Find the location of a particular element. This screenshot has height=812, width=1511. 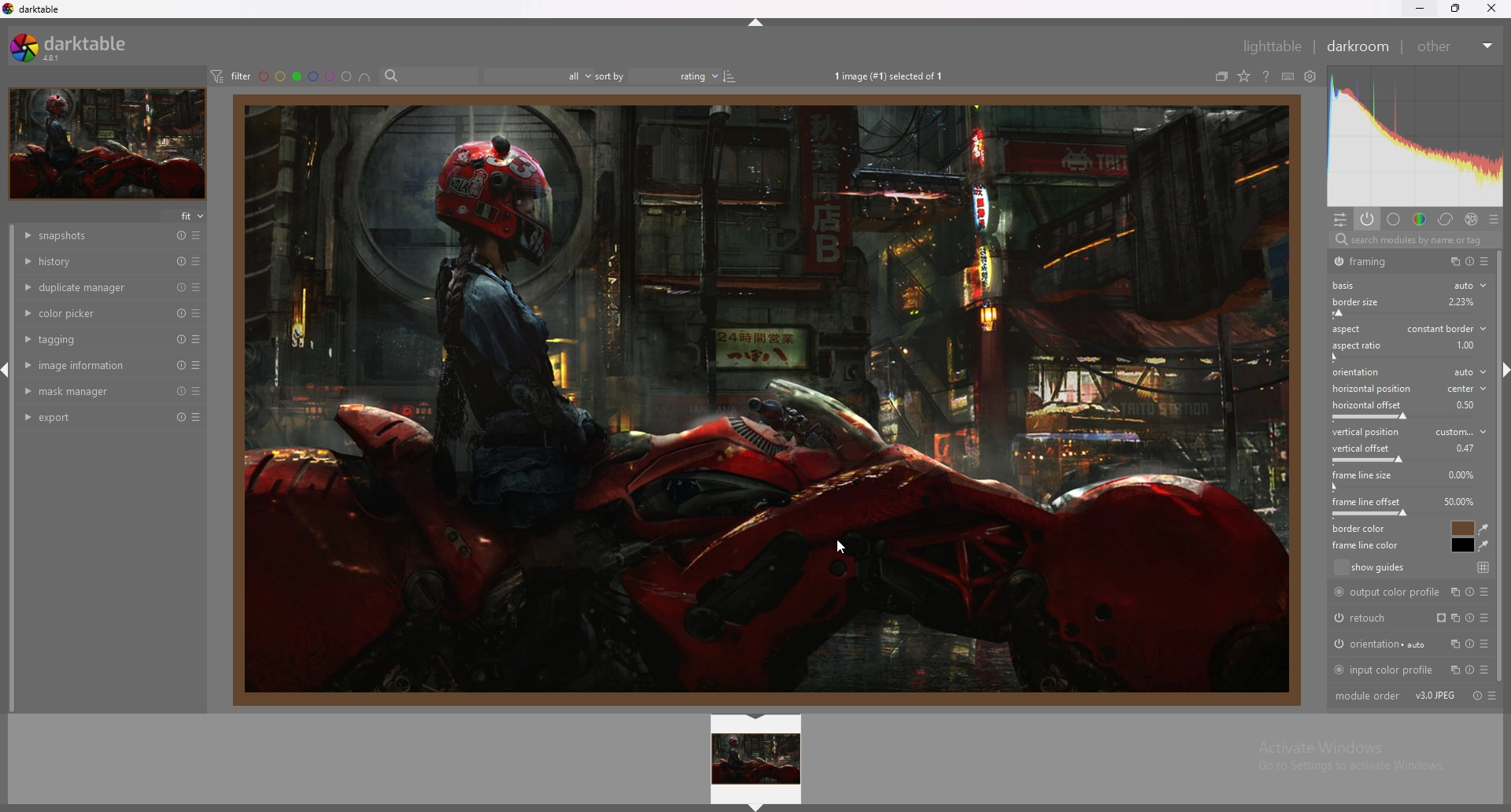

percentage is located at coordinates (1458, 502).